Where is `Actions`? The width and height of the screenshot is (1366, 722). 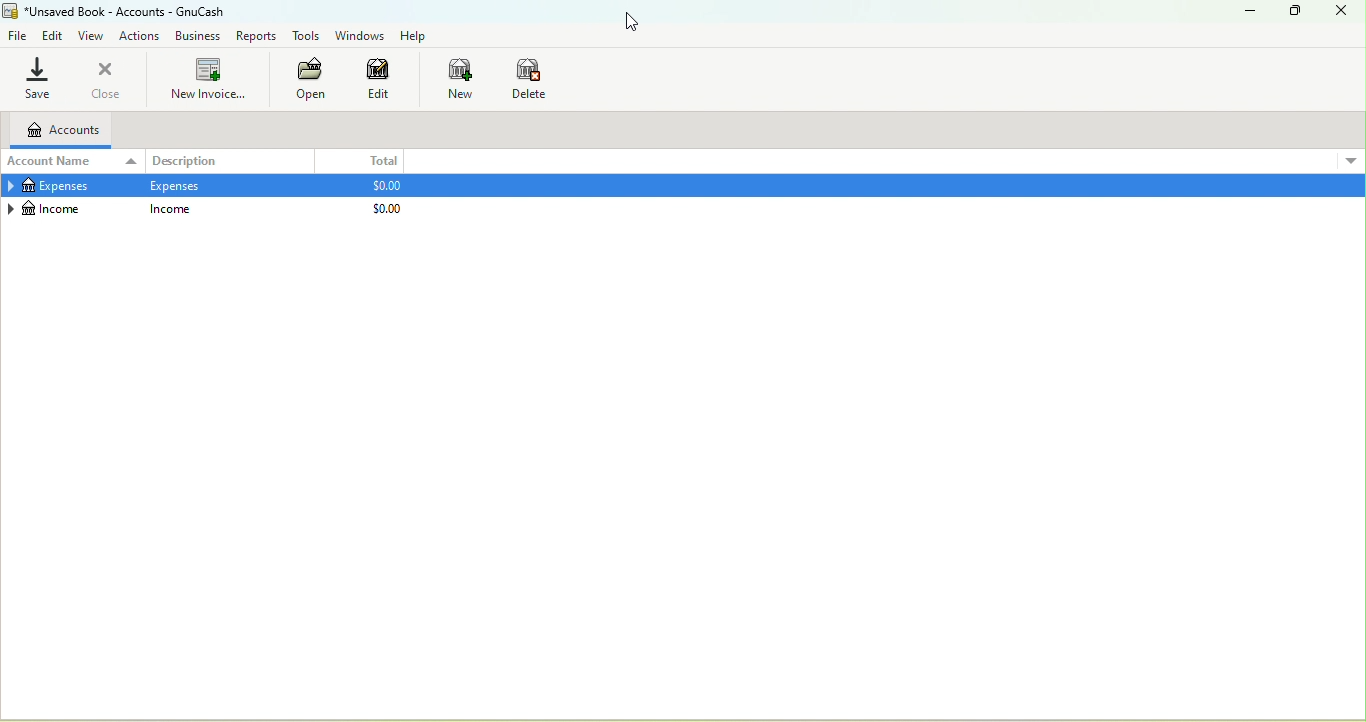
Actions is located at coordinates (141, 37).